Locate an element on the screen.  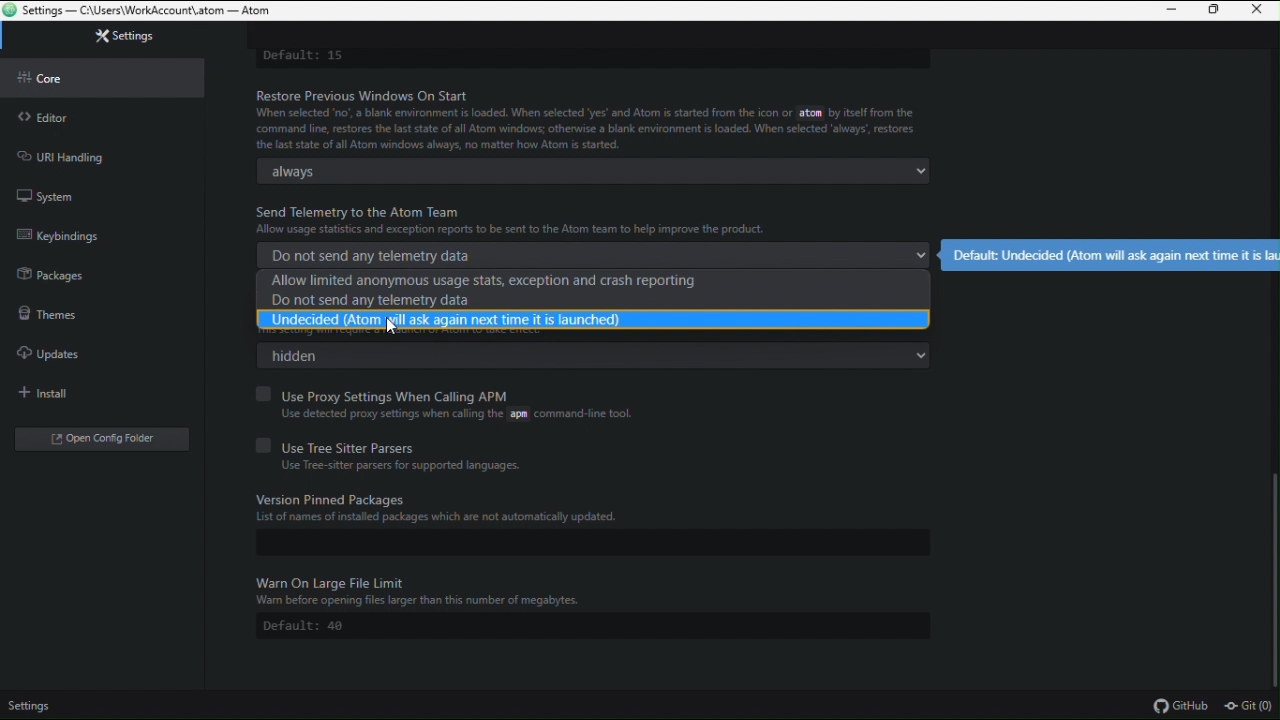
core is located at coordinates (99, 75).